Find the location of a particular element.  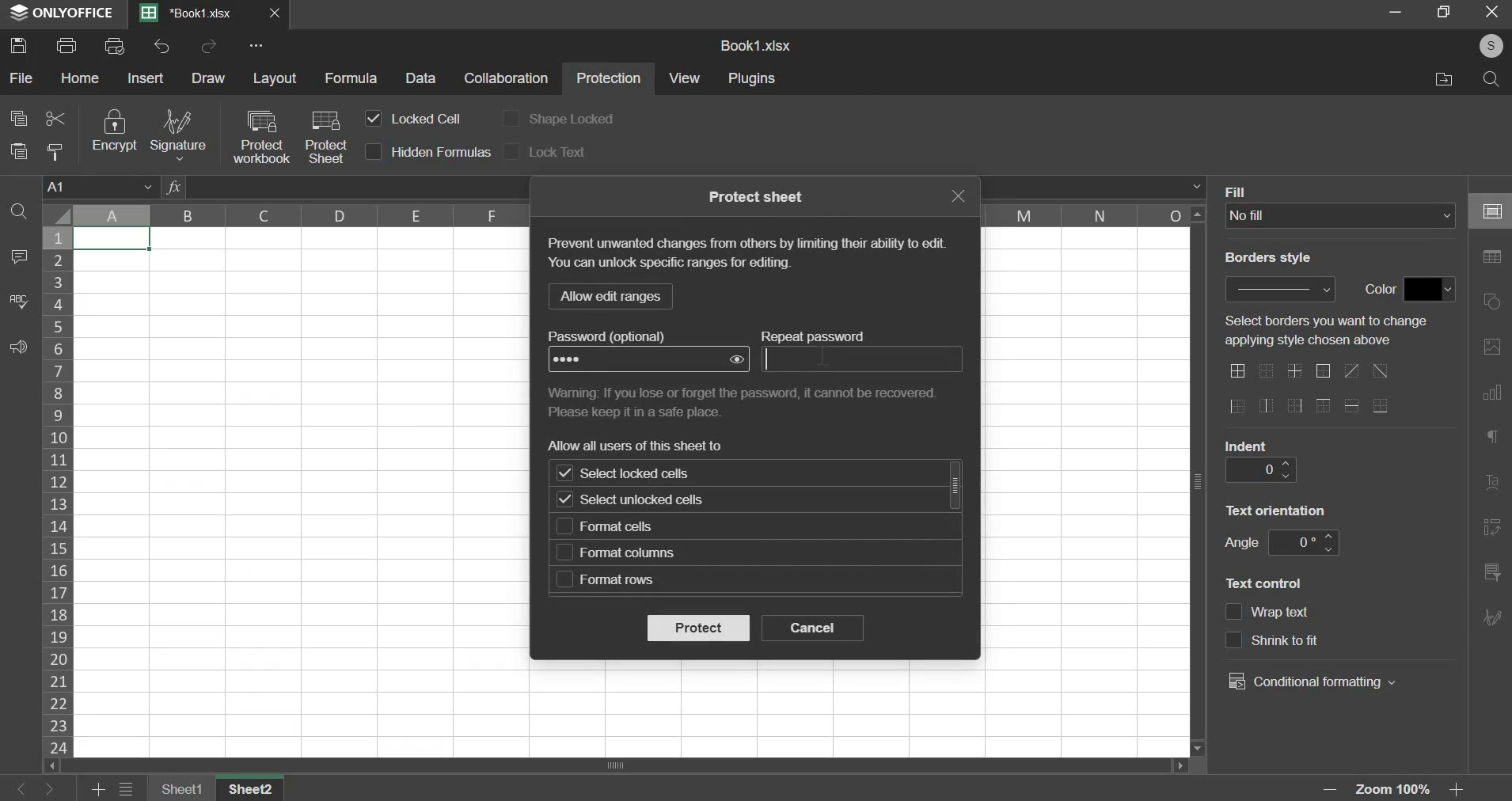

border options is located at coordinates (1237, 407).